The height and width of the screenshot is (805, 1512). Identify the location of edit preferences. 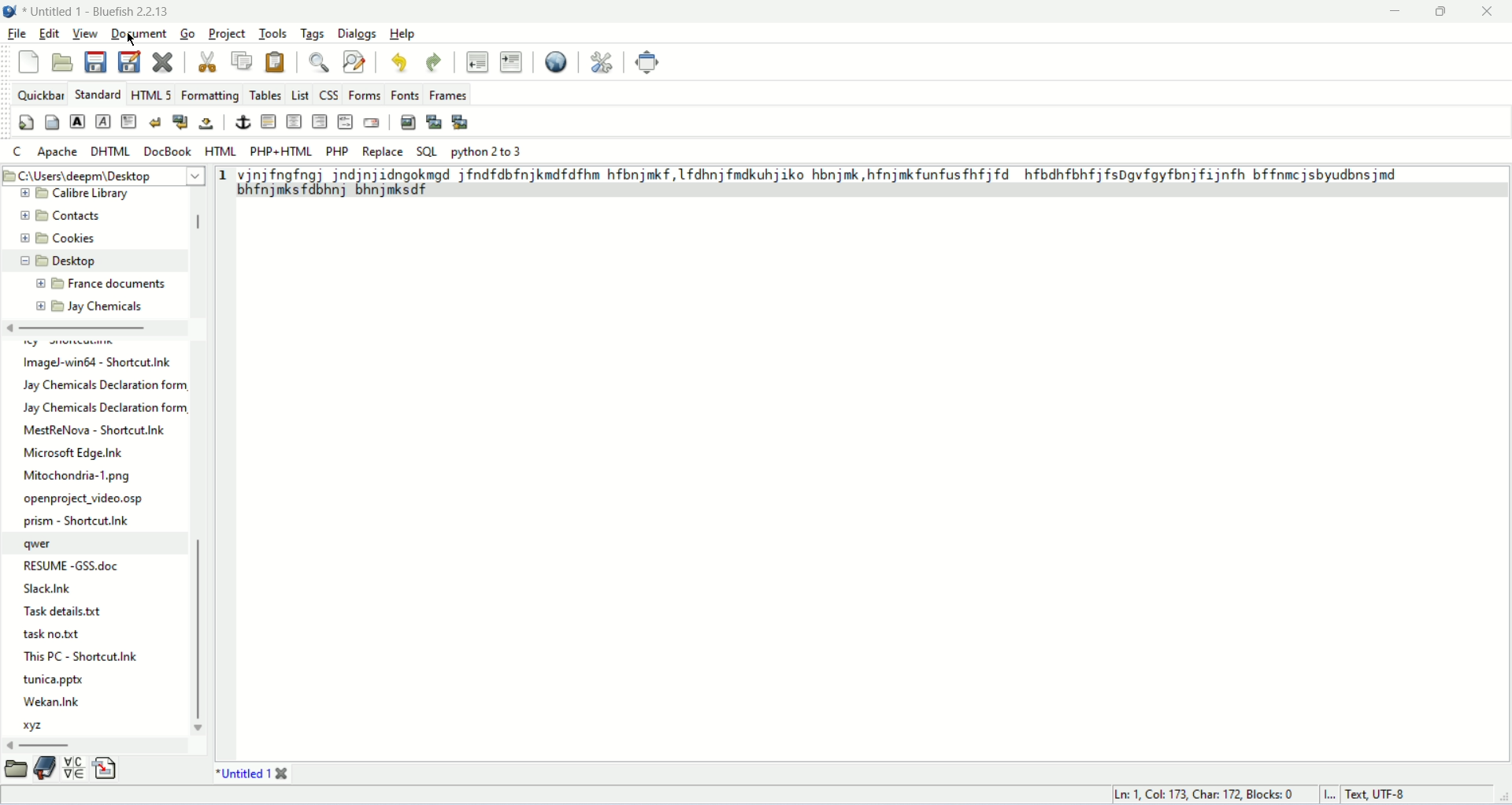
(606, 62).